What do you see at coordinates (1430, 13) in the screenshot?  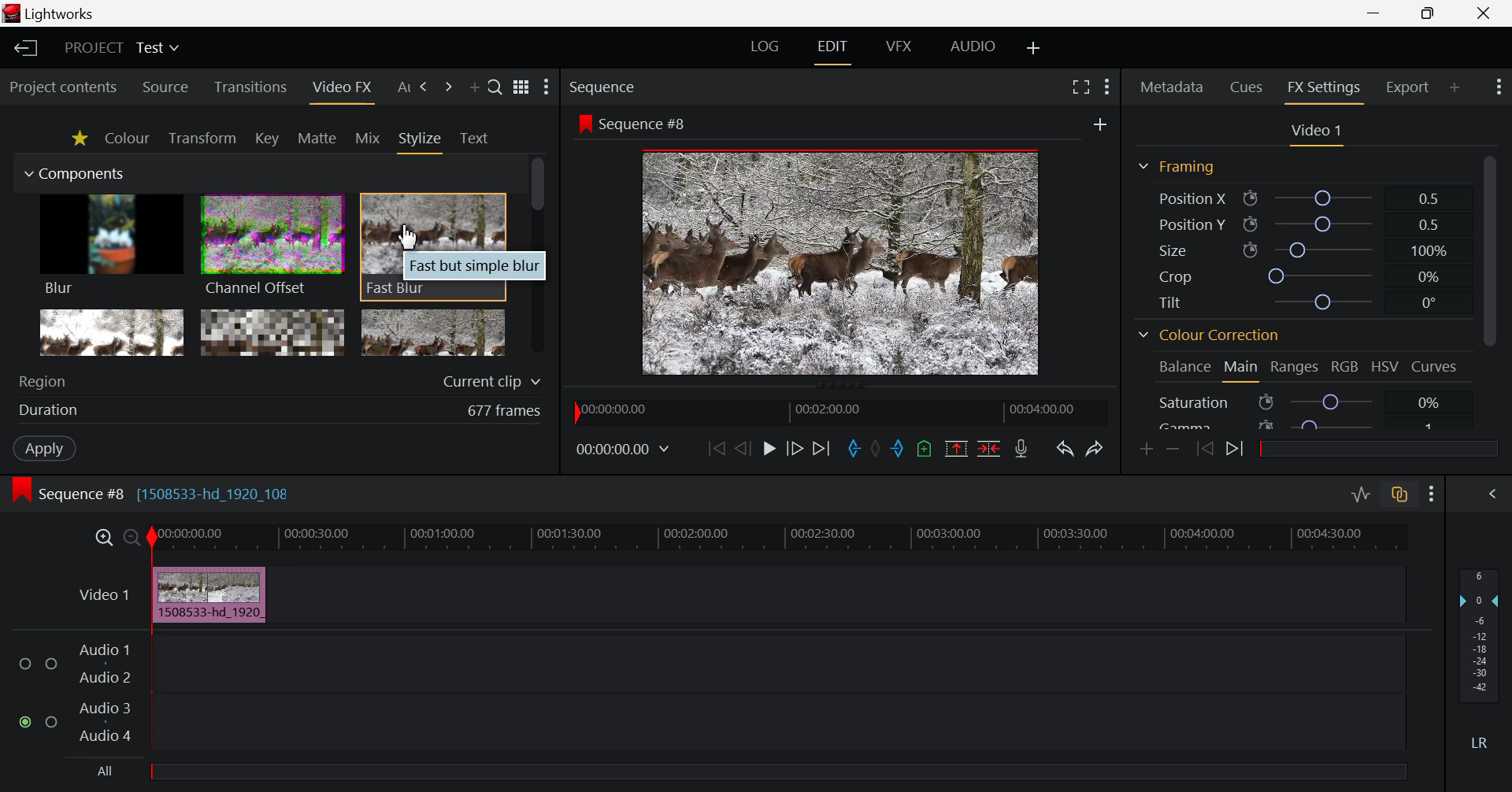 I see `Minimize` at bounding box center [1430, 13].